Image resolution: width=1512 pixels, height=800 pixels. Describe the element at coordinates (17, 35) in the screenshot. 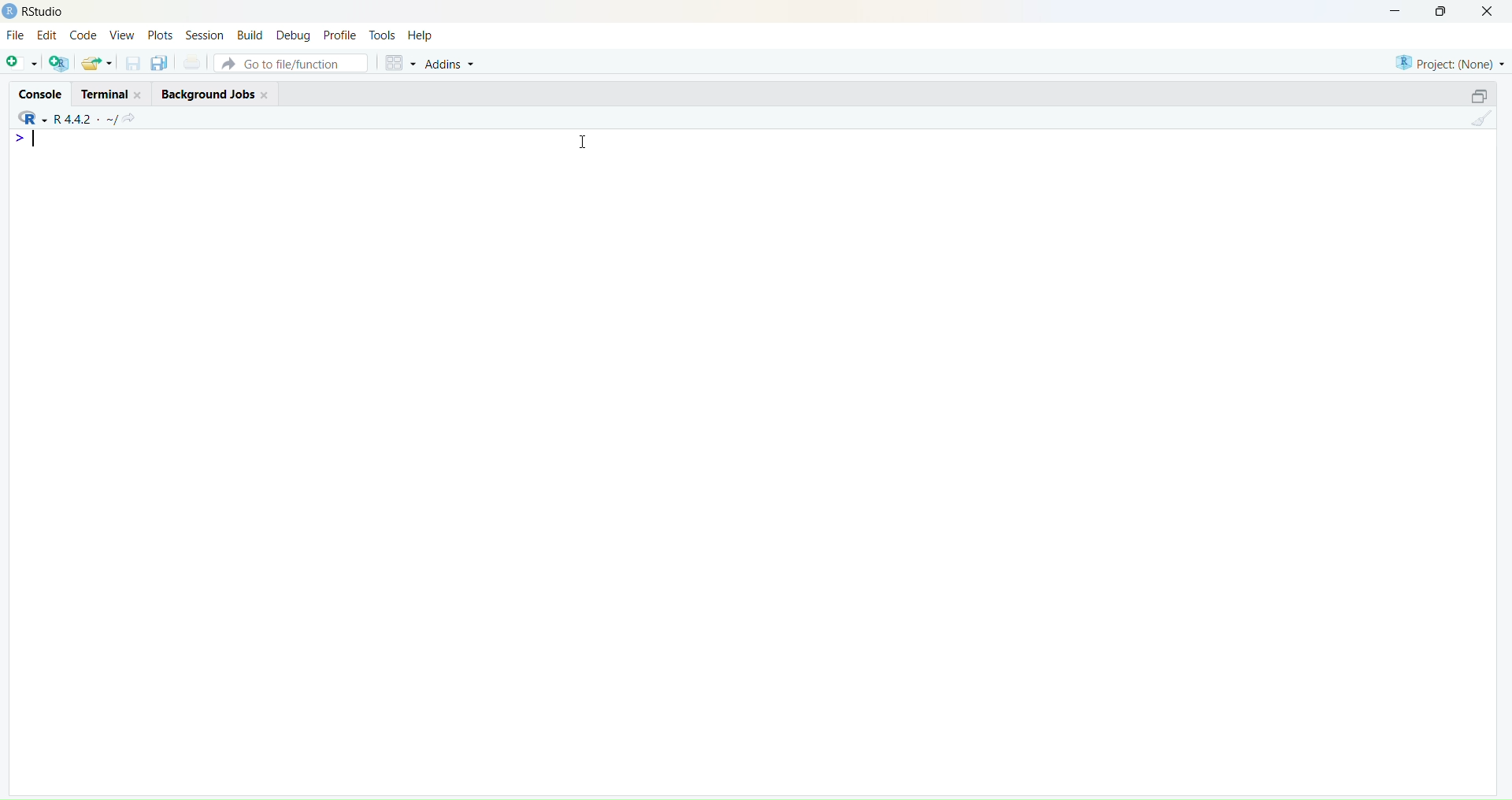

I see `File` at that location.